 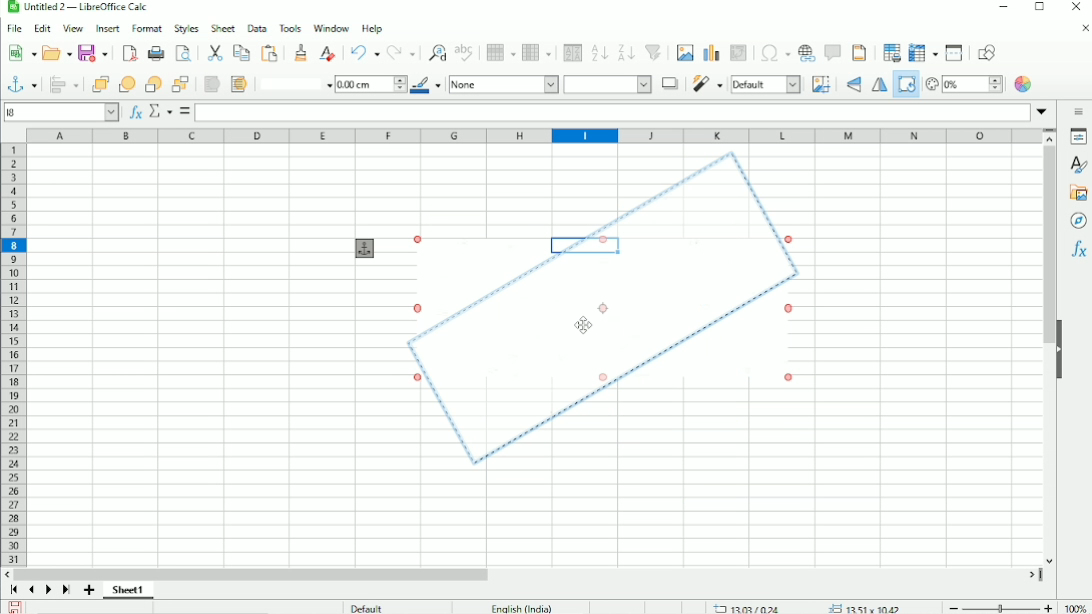 What do you see at coordinates (72, 28) in the screenshot?
I see `View` at bounding box center [72, 28].